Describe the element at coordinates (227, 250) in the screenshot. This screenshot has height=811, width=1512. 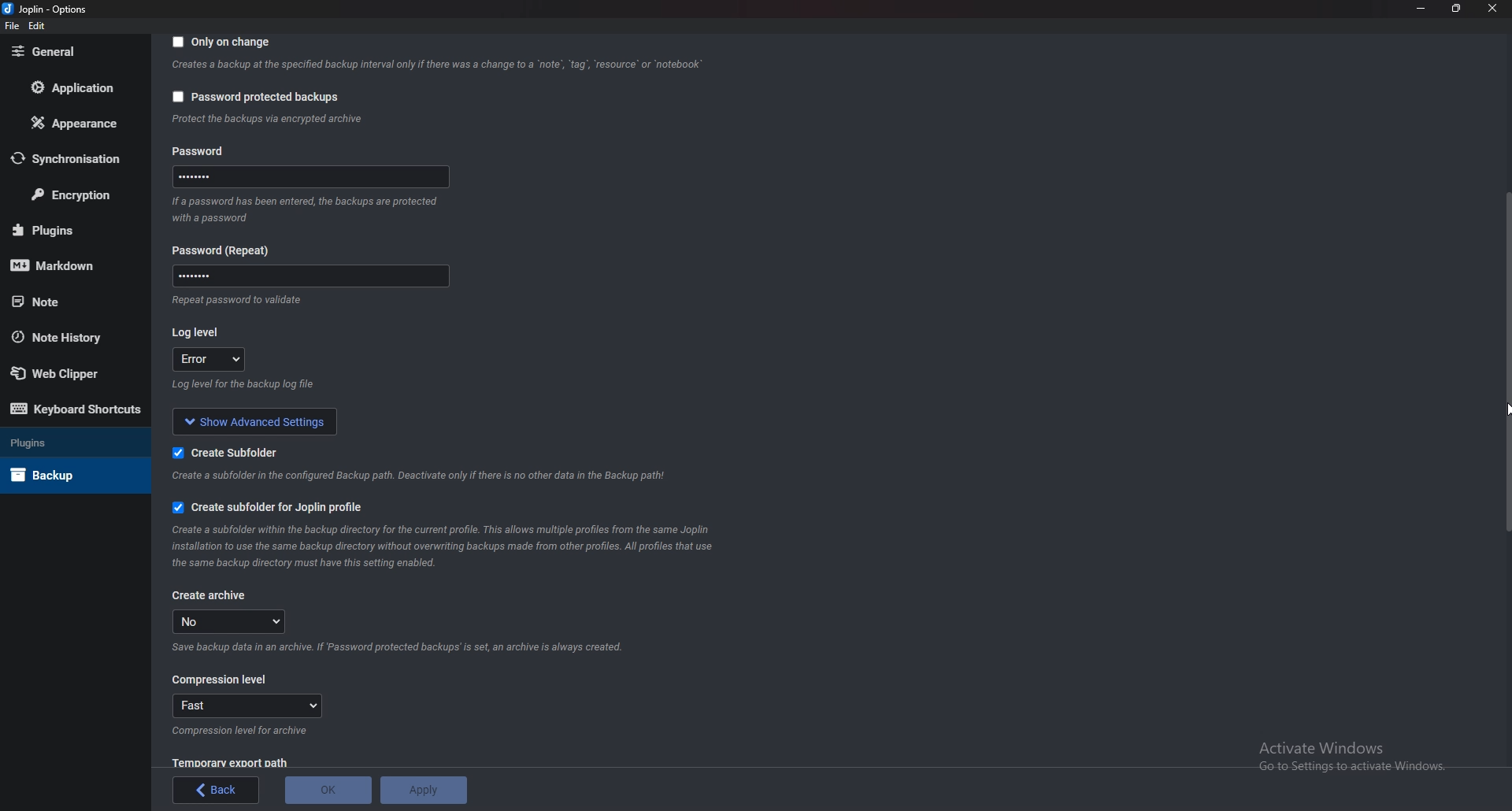
I see `Password` at that location.